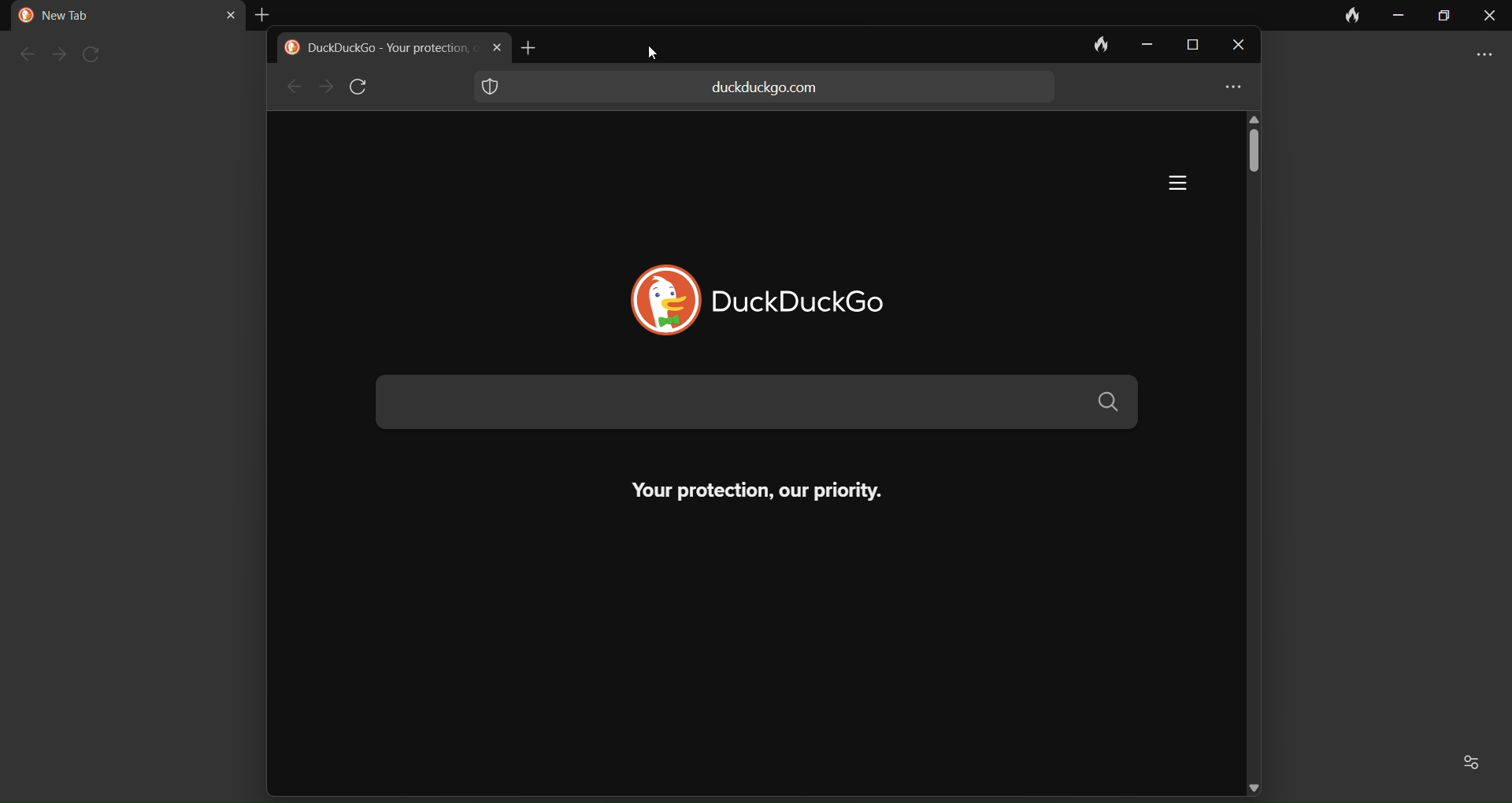 This screenshot has width=1512, height=803. I want to click on New Tab, so click(70, 16).